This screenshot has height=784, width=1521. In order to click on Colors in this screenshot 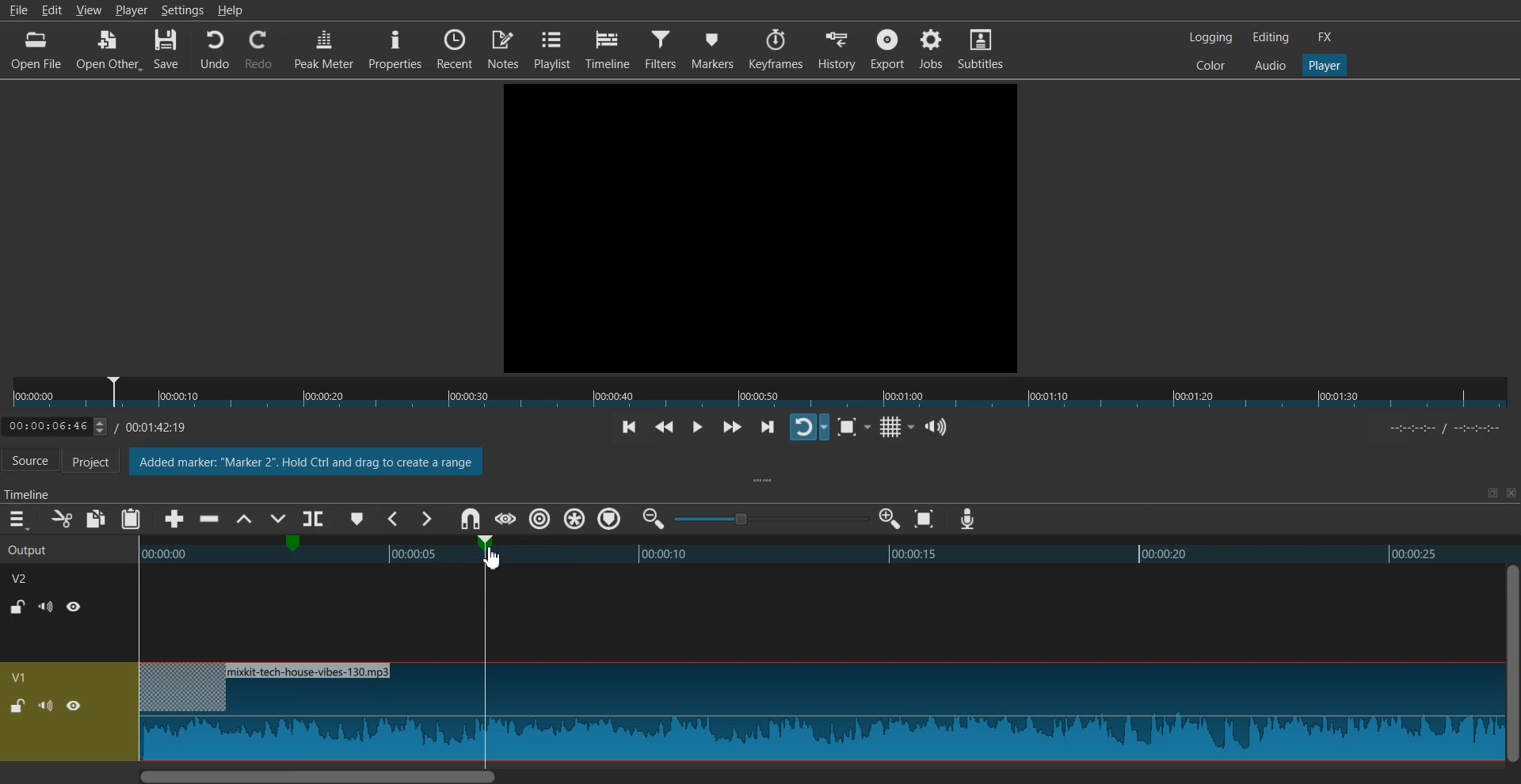, I will do `click(1210, 64)`.